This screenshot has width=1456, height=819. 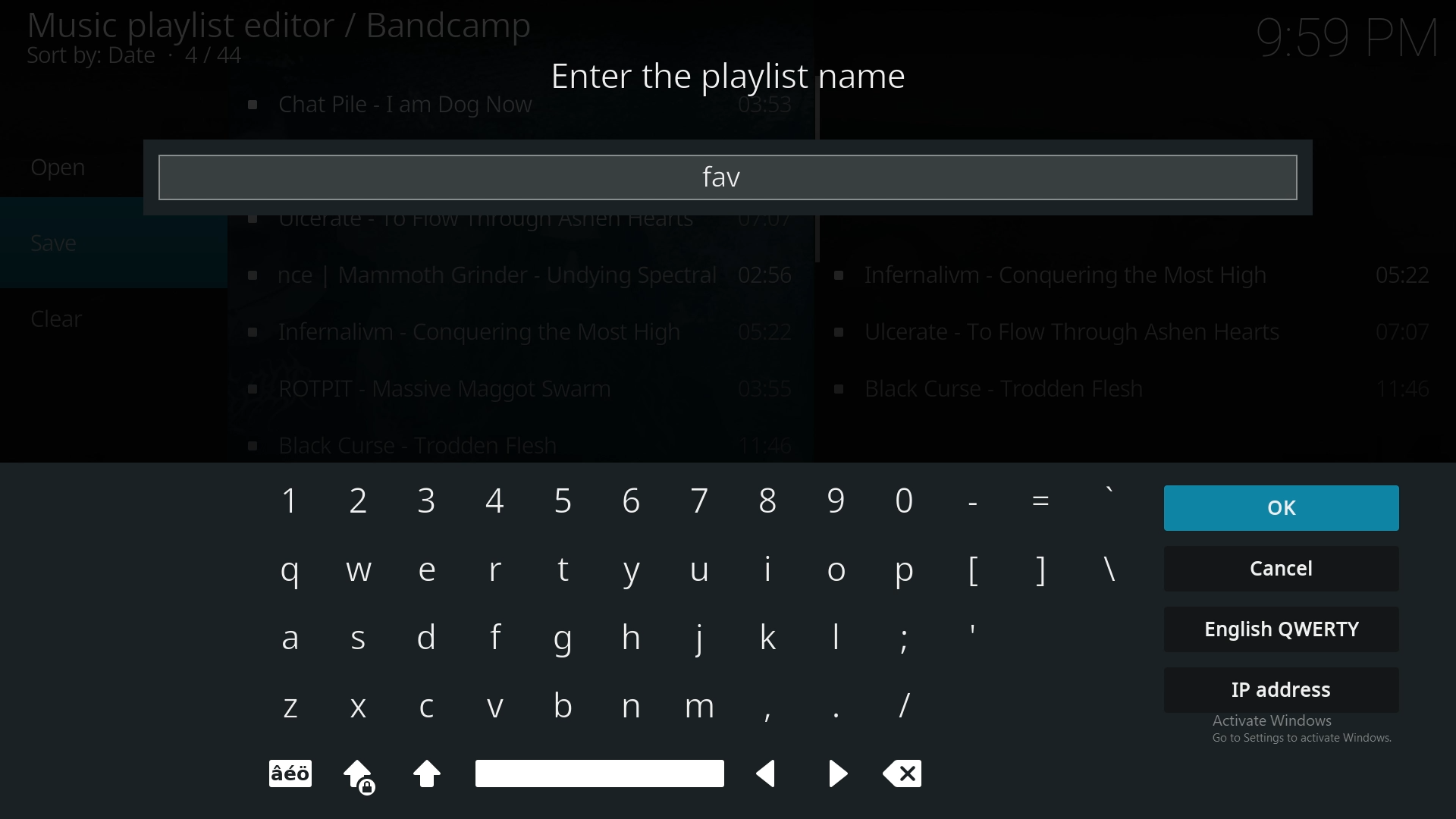 What do you see at coordinates (519, 274) in the screenshot?
I see `music` at bounding box center [519, 274].